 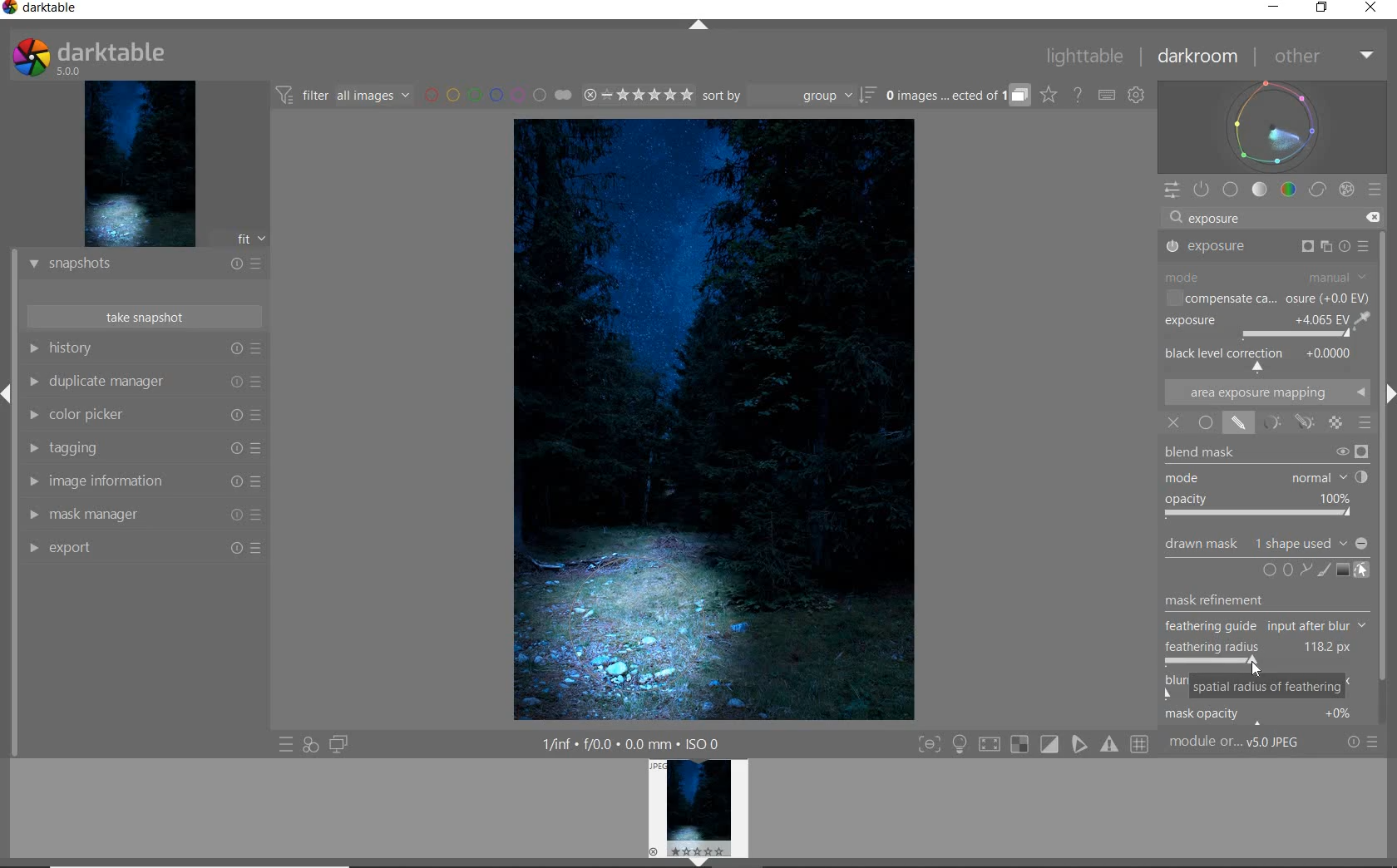 What do you see at coordinates (1266, 298) in the screenshot?
I see `COMPENSATE CA...OSURE` at bounding box center [1266, 298].